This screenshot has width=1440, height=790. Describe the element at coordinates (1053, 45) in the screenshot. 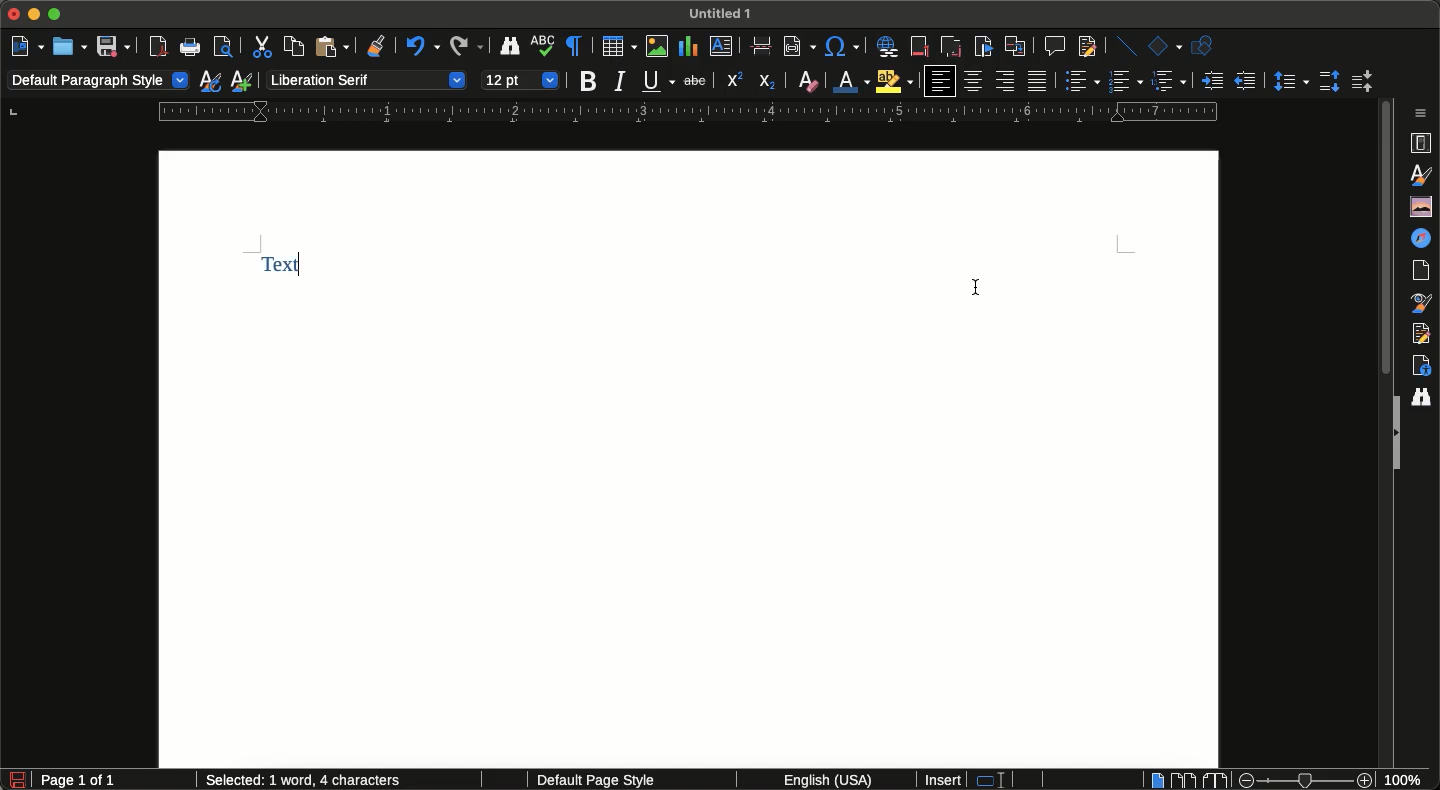

I see `Insert comment` at that location.